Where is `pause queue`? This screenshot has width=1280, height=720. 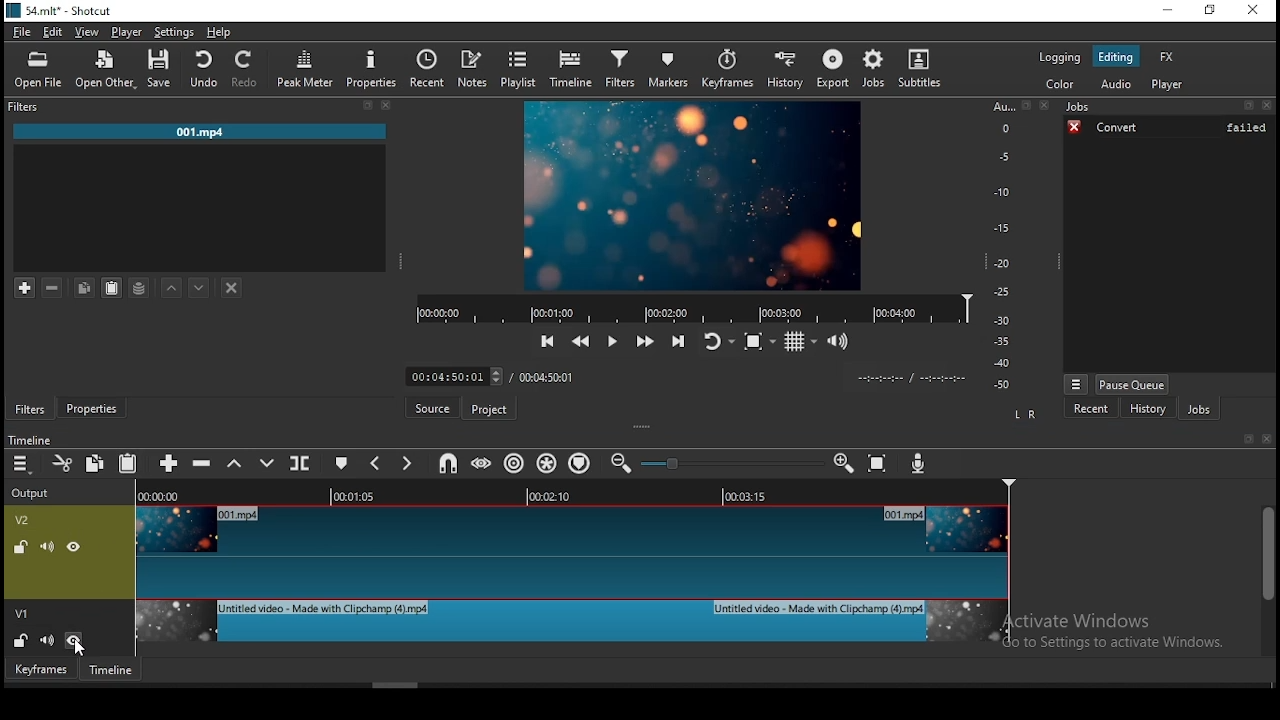
pause queue is located at coordinates (1132, 385).